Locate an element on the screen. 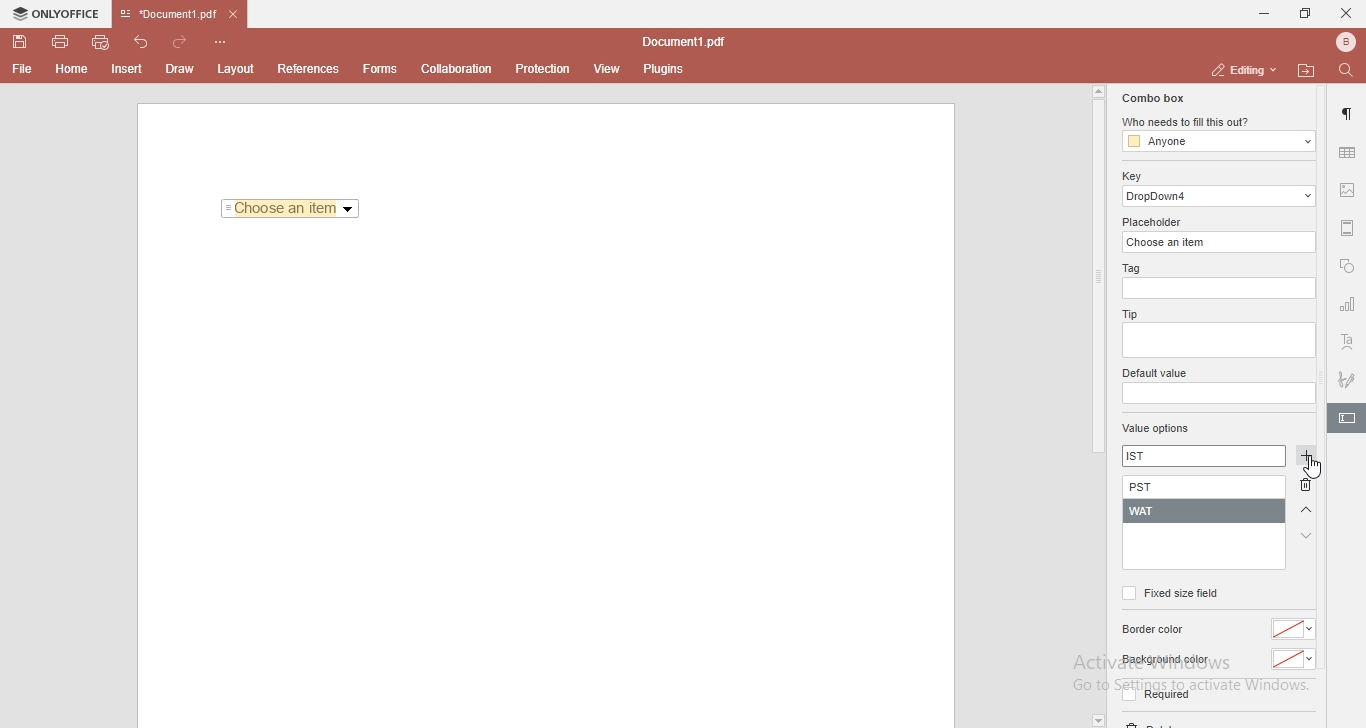 This screenshot has width=1366, height=728. shapes is located at coordinates (1347, 268).